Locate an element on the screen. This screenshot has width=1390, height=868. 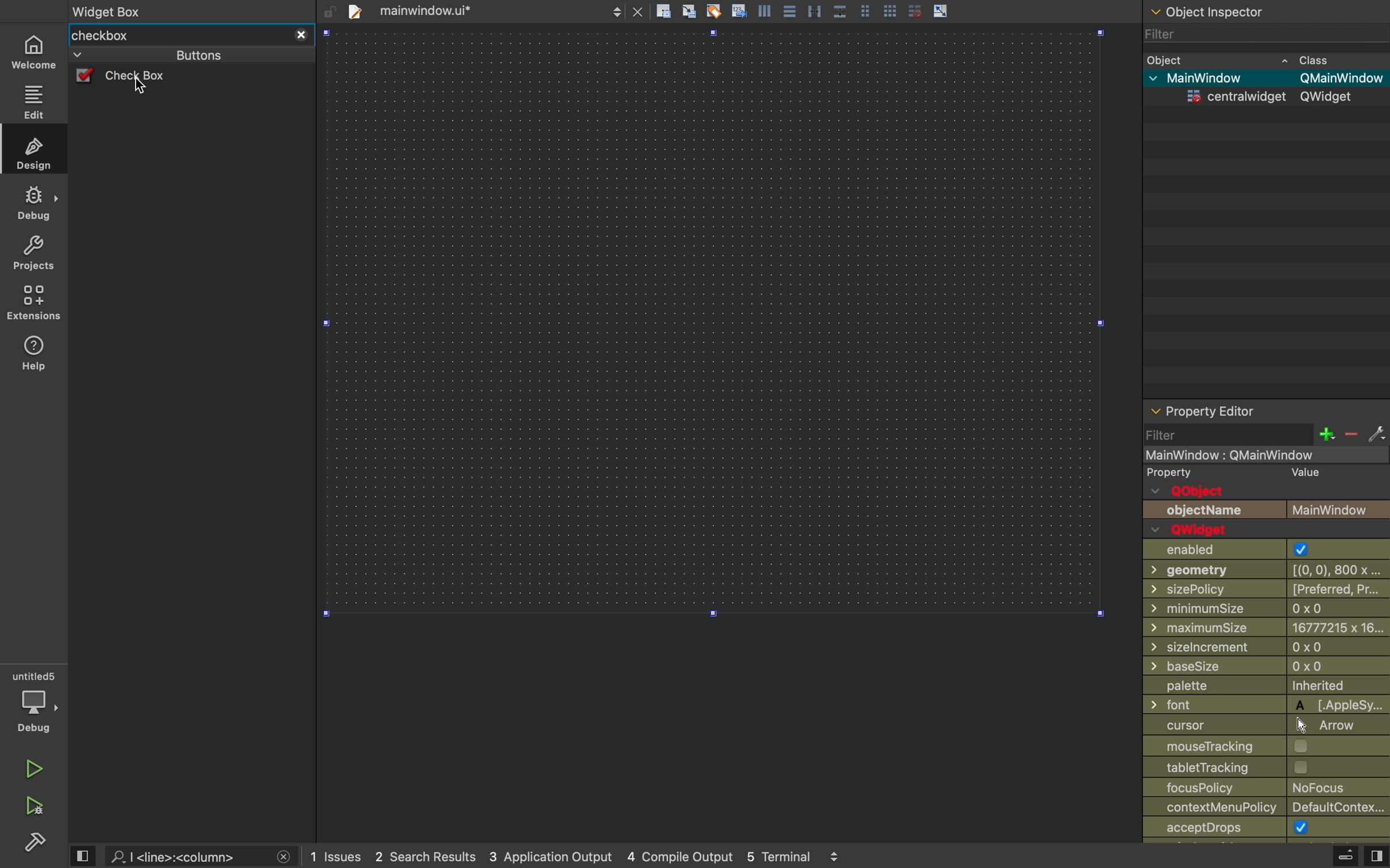
table tracking is located at coordinates (1231, 767).